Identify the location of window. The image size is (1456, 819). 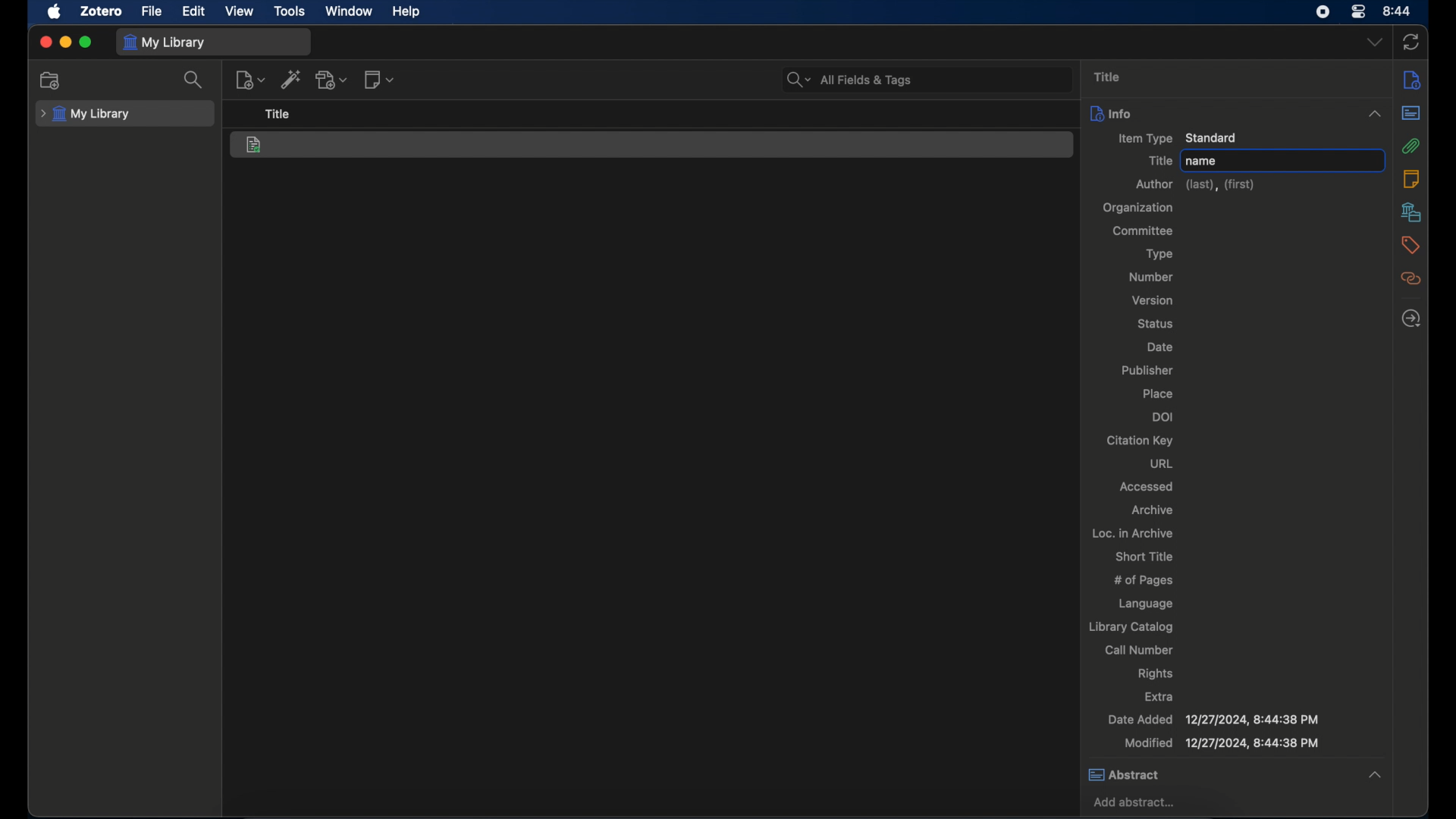
(347, 11).